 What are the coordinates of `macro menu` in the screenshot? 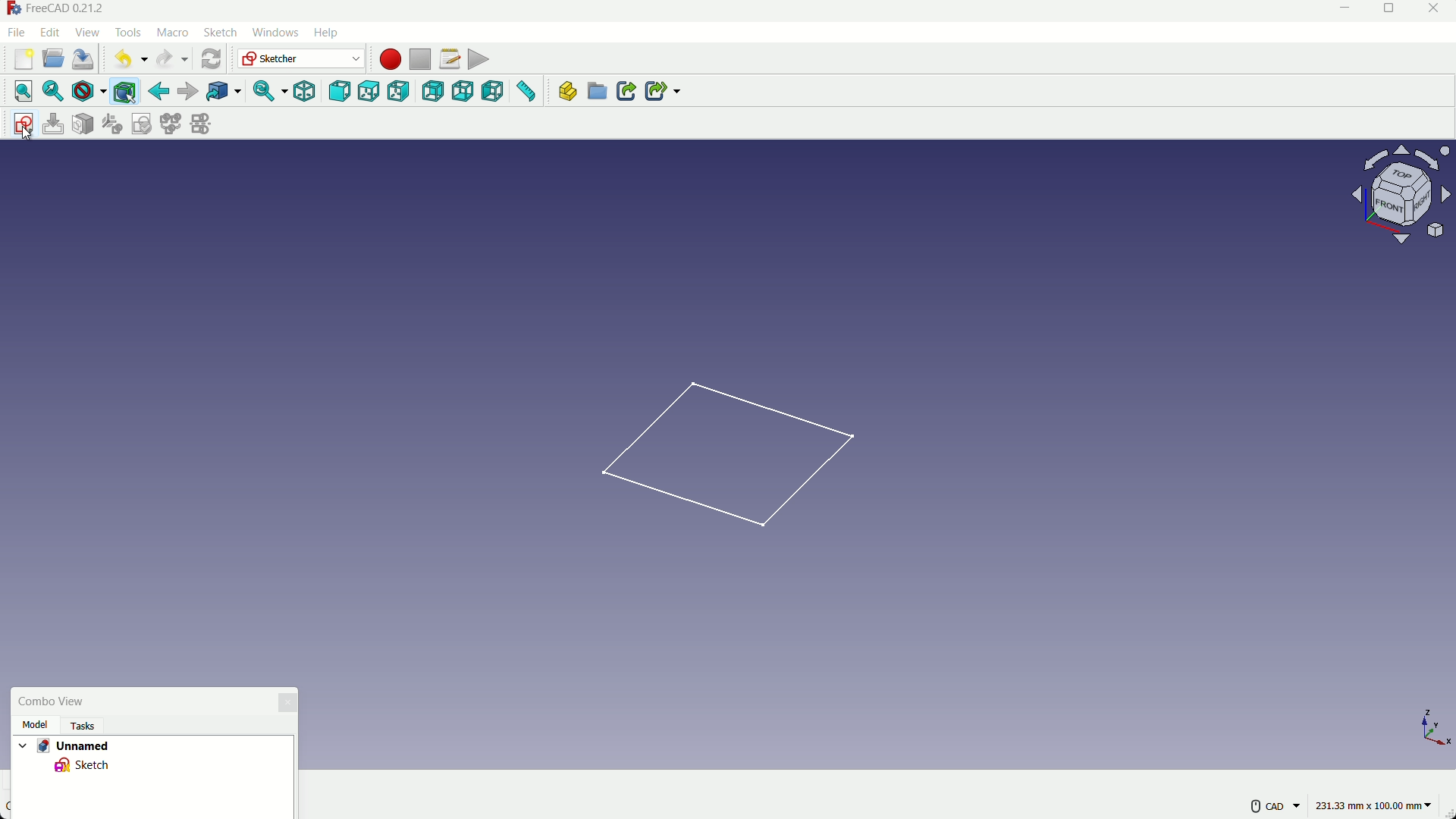 It's located at (170, 33).